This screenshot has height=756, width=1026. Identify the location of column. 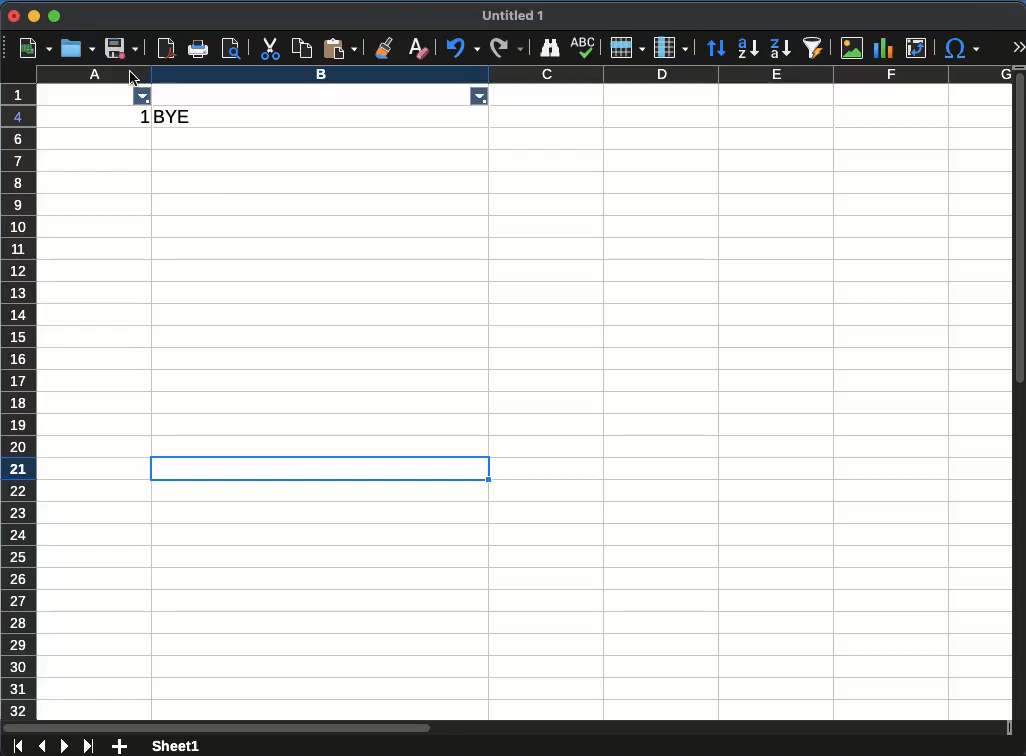
(72, 74).